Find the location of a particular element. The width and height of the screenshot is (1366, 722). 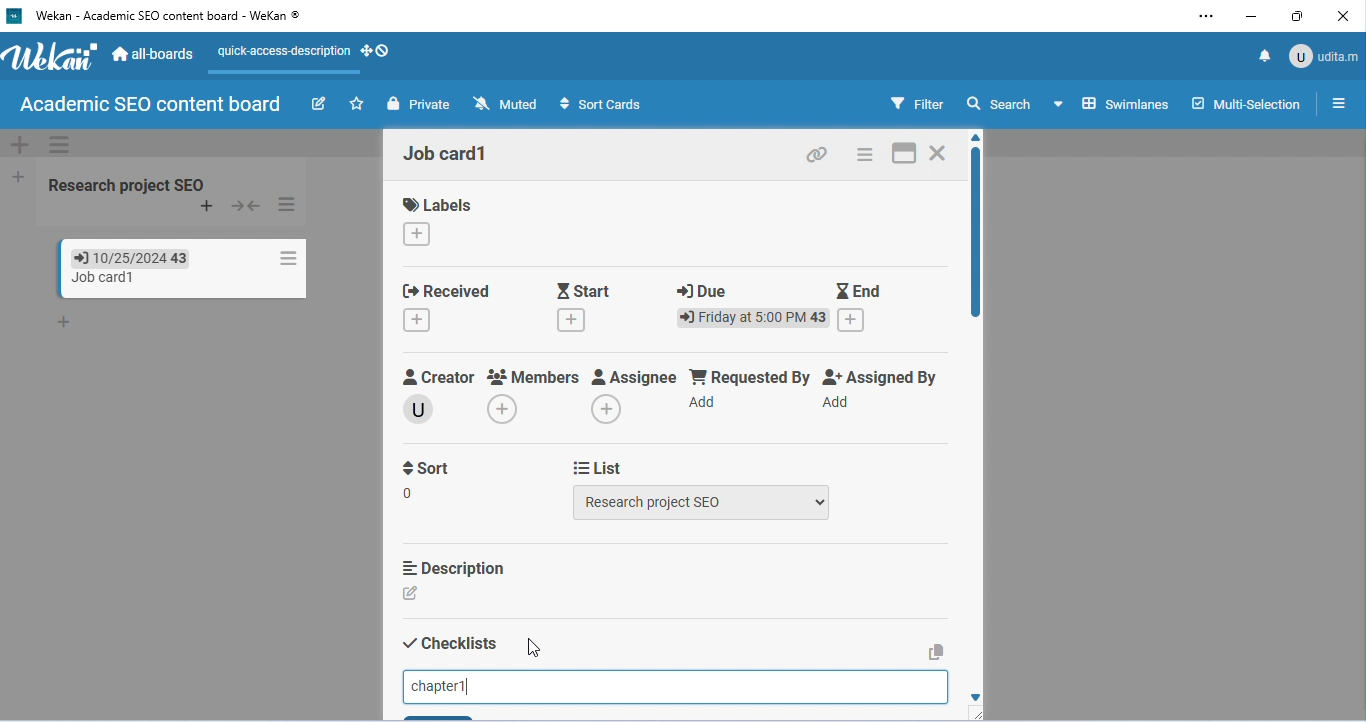

copy text to clipboard is located at coordinates (936, 651).